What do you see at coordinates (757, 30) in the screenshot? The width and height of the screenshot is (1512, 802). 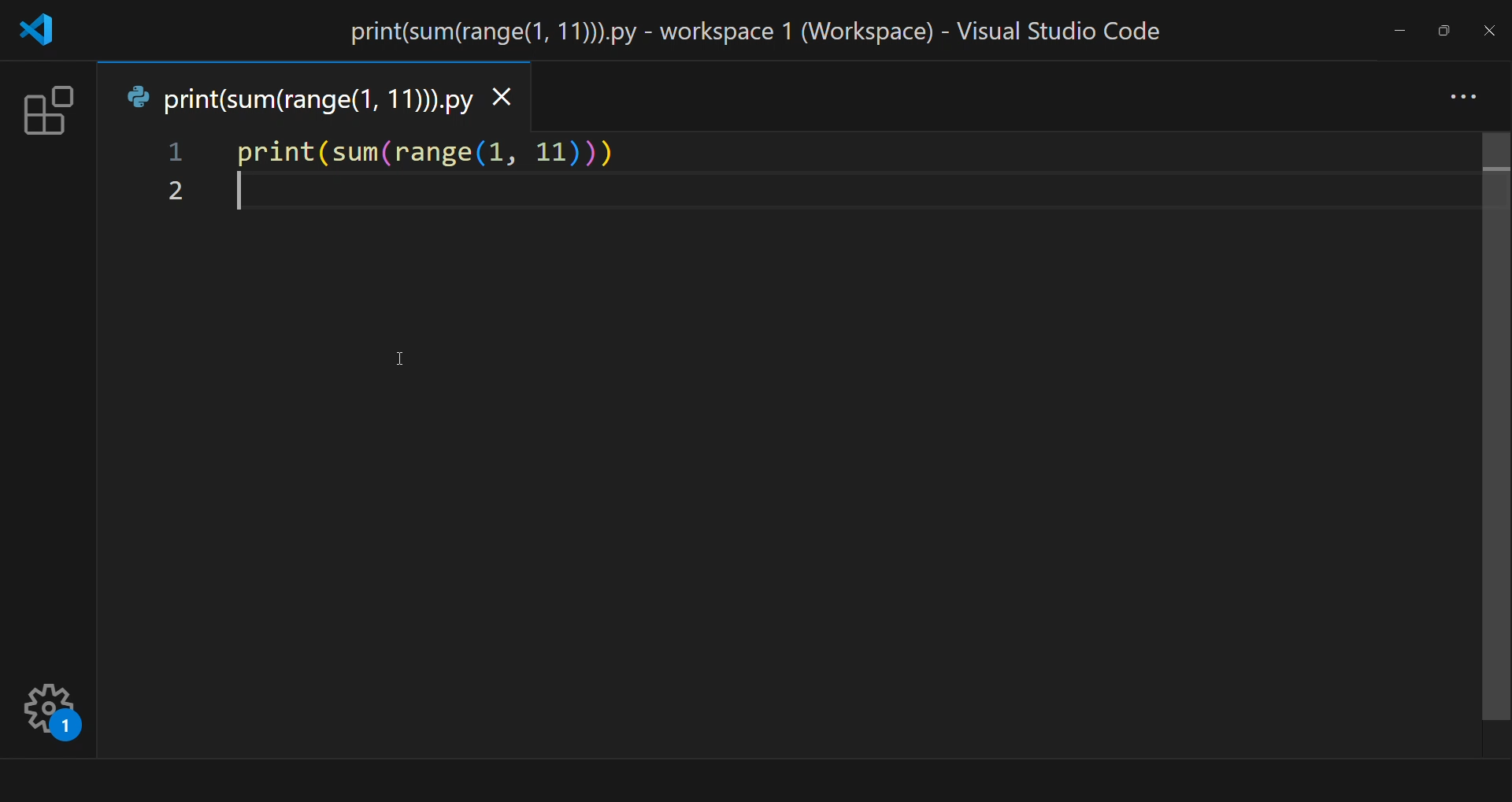 I see `title` at bounding box center [757, 30].